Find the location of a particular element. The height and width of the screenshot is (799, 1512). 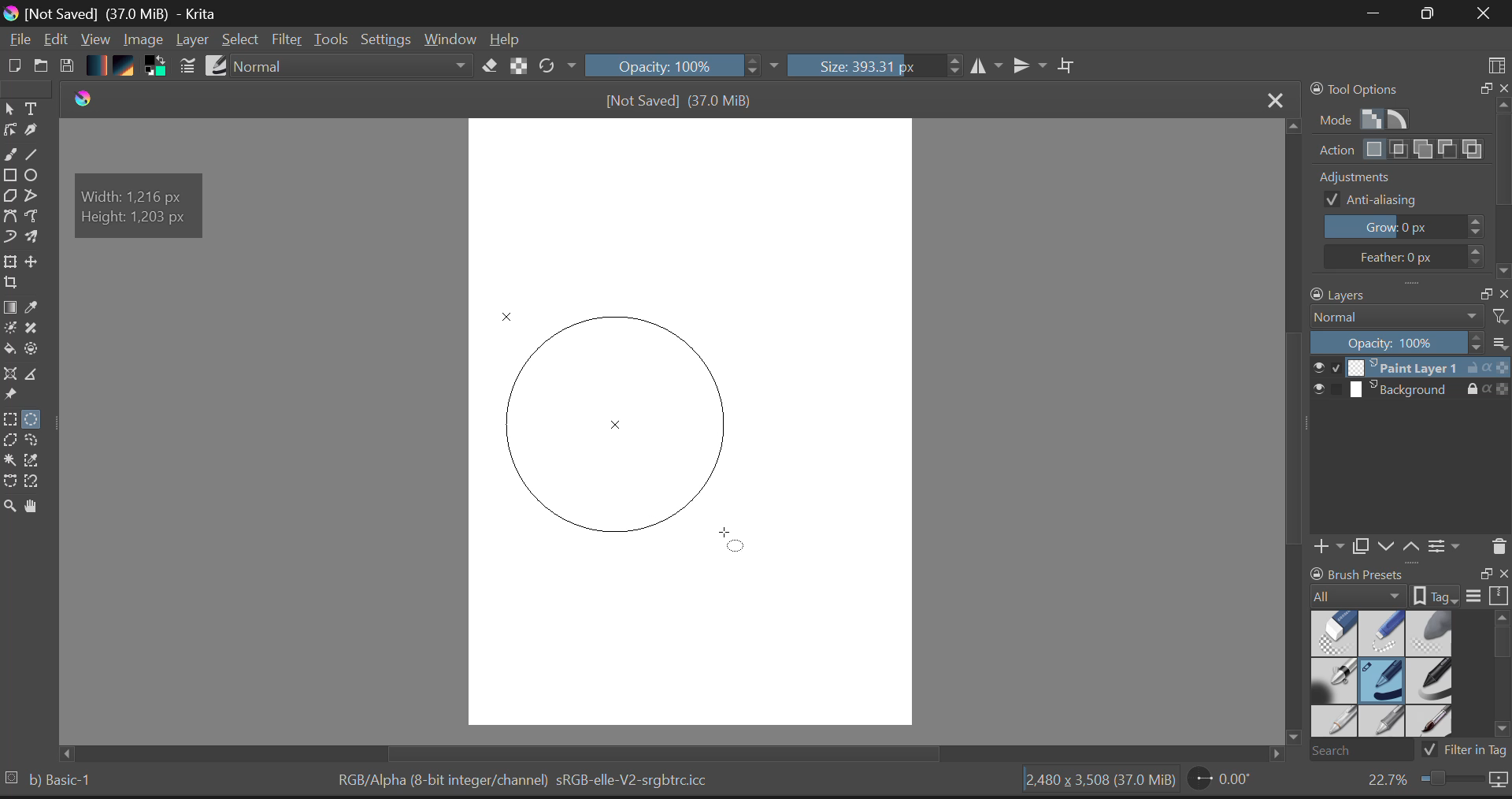

Brush Presets Docker is located at coordinates (1406, 662).